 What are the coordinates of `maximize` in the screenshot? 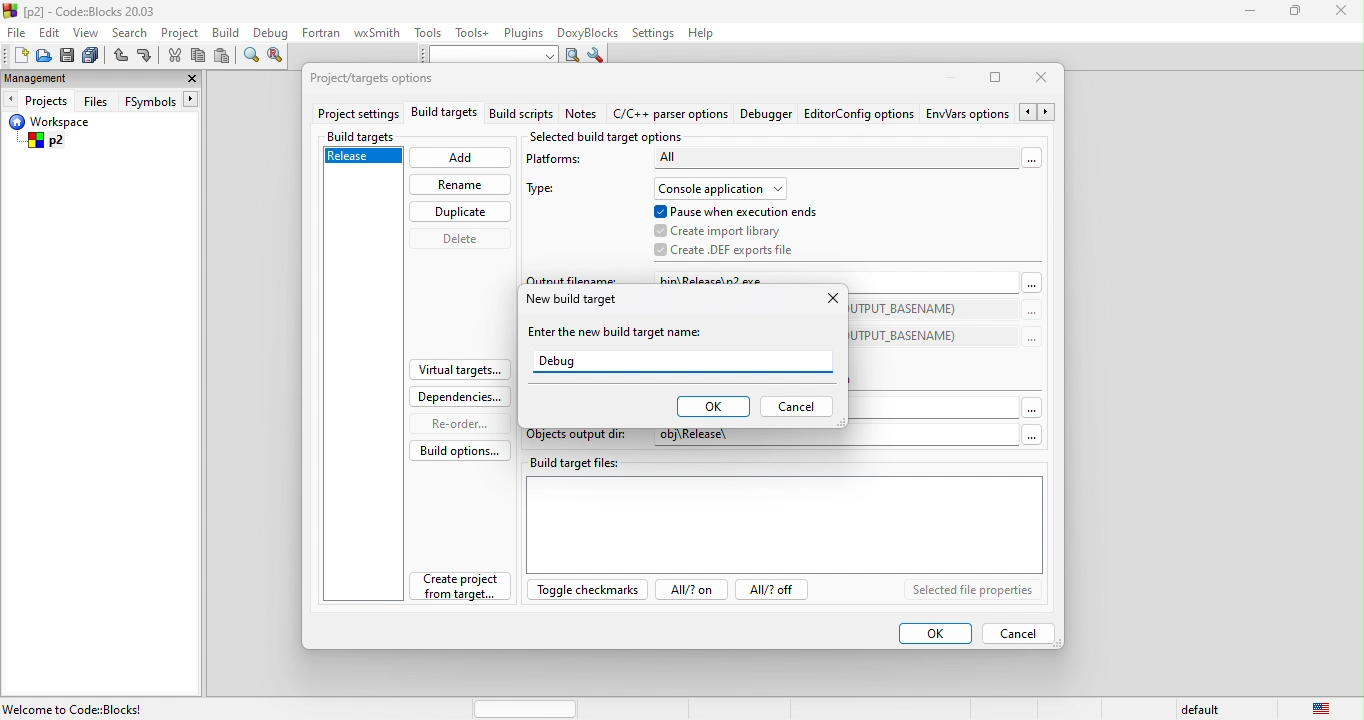 It's located at (995, 77).